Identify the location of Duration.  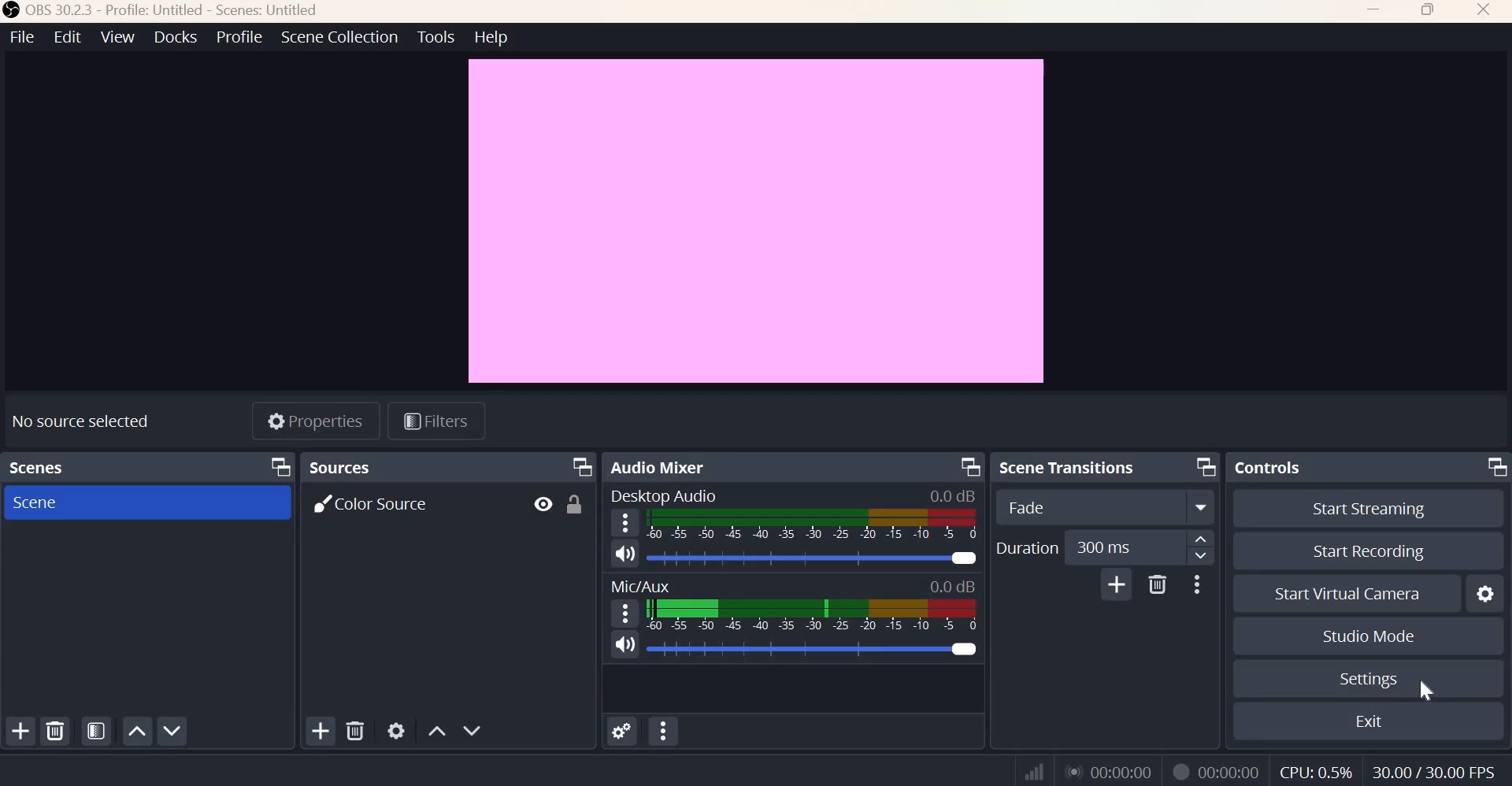
(1026, 547).